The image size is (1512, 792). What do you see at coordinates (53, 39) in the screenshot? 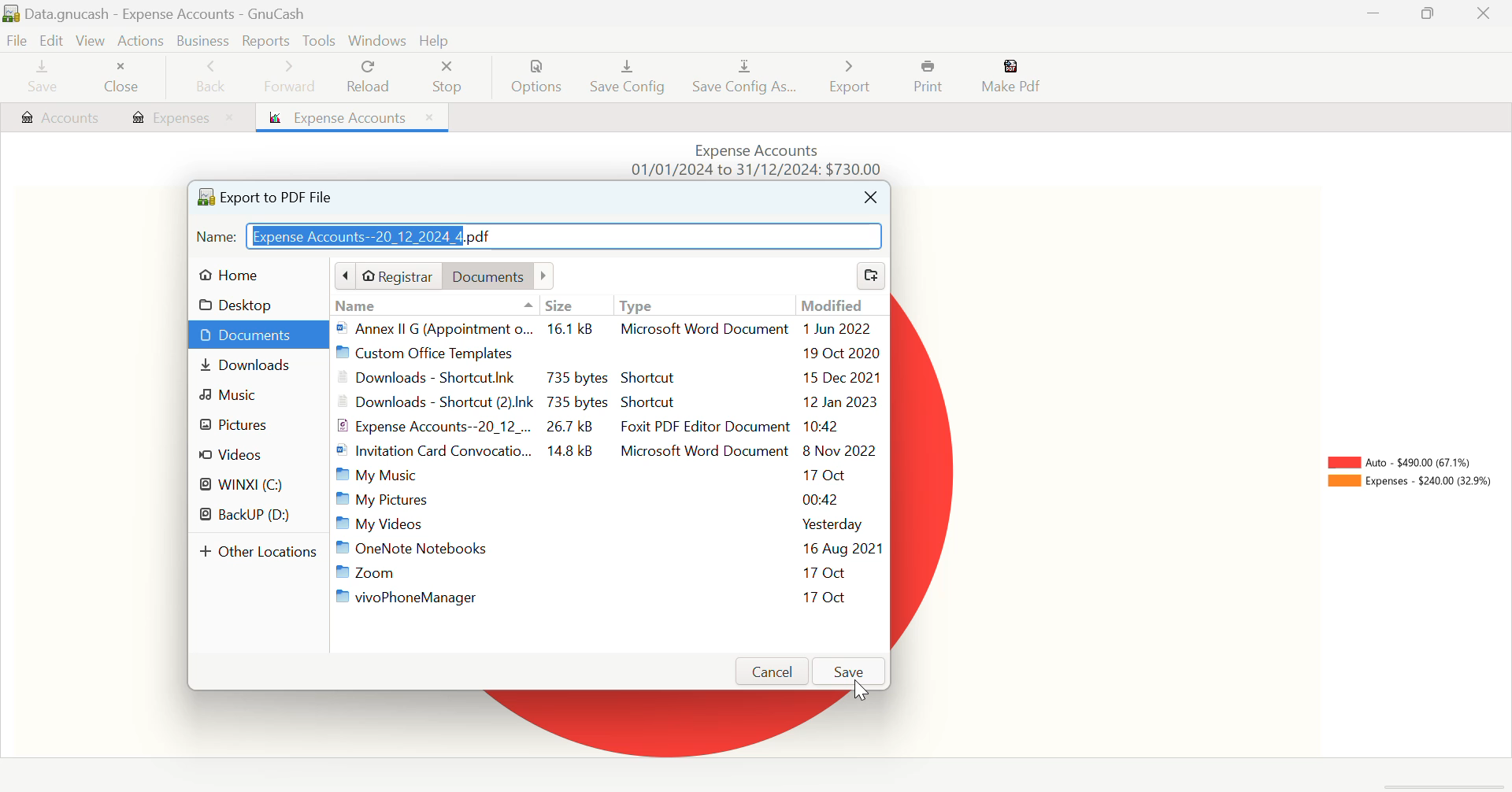
I see `Edit` at bounding box center [53, 39].